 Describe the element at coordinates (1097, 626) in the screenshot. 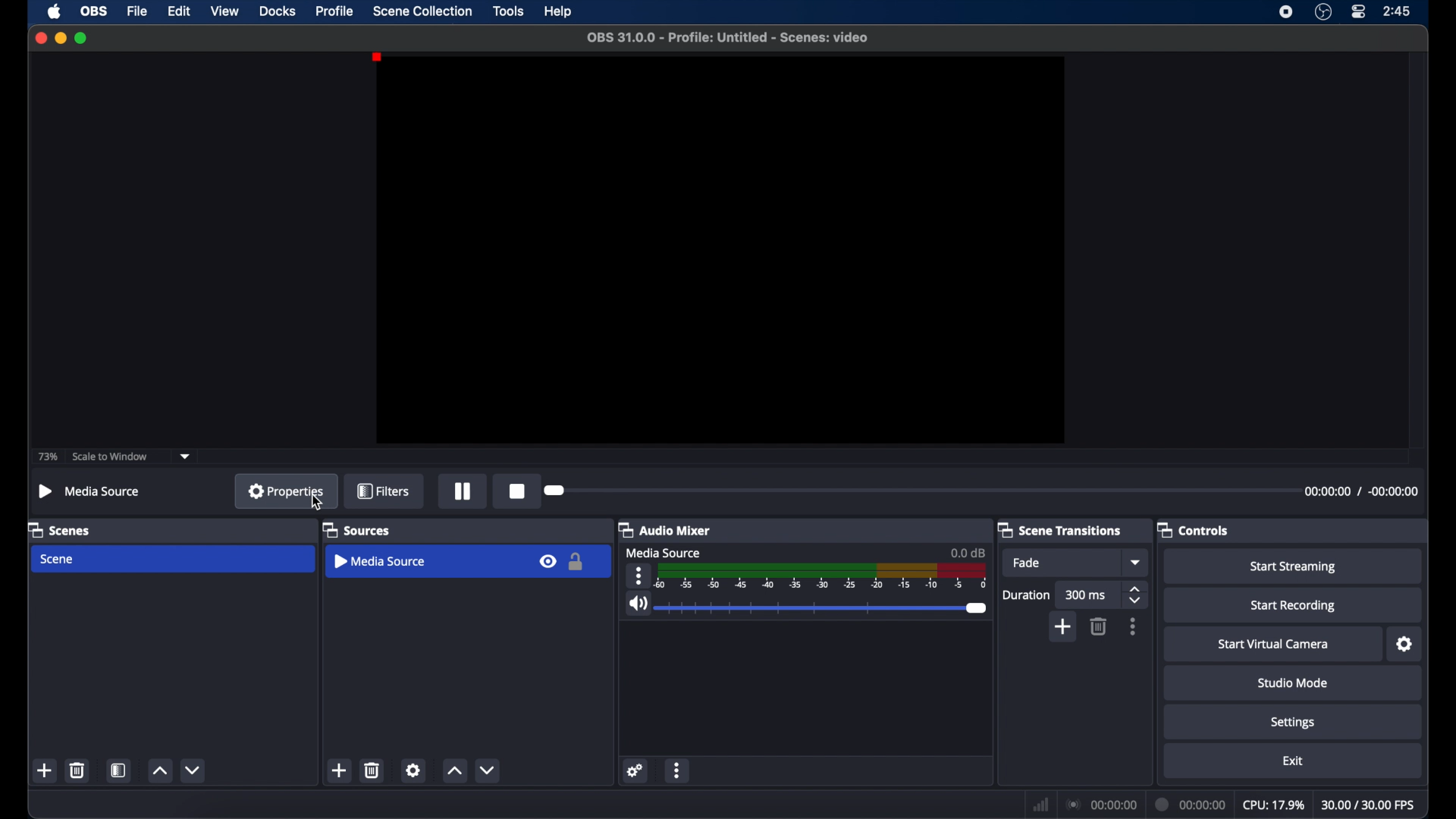

I see `delete` at that location.